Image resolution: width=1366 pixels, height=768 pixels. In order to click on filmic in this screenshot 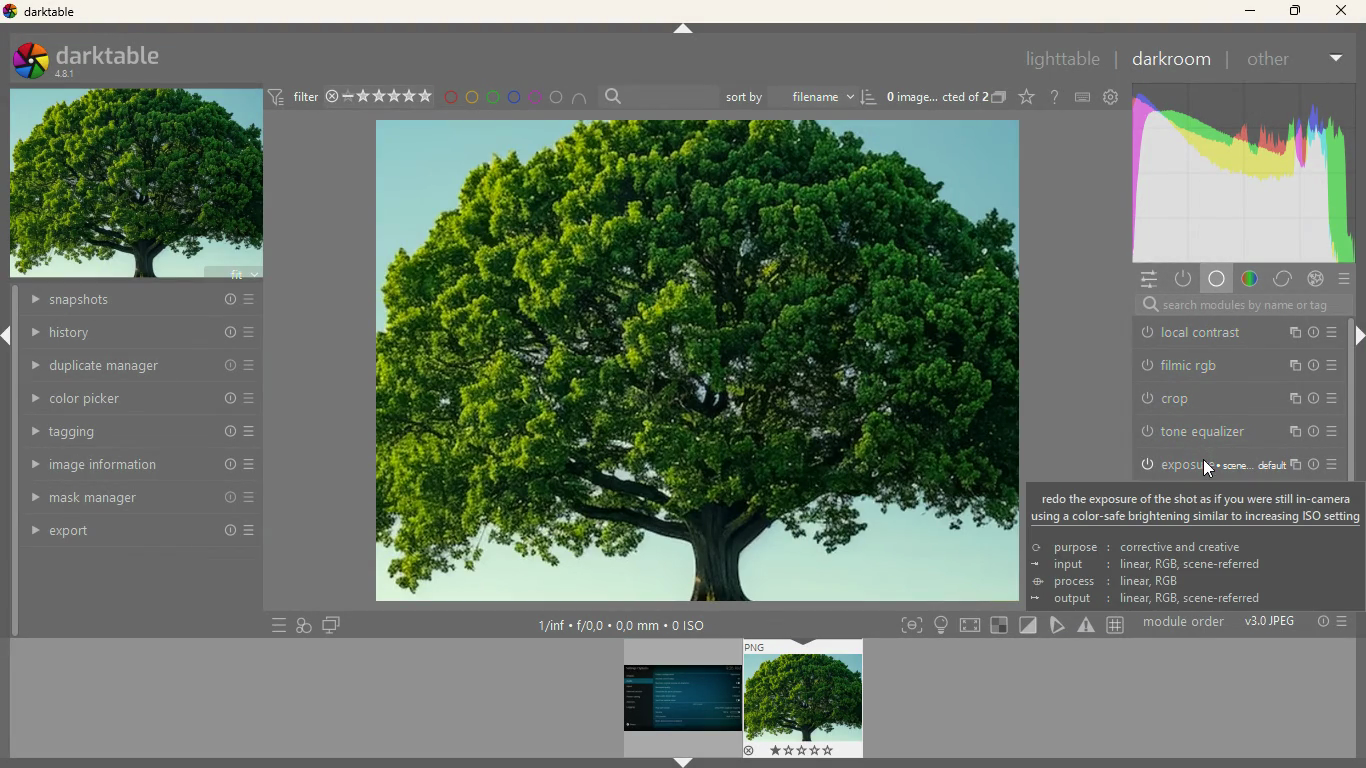, I will do `click(1209, 397)`.